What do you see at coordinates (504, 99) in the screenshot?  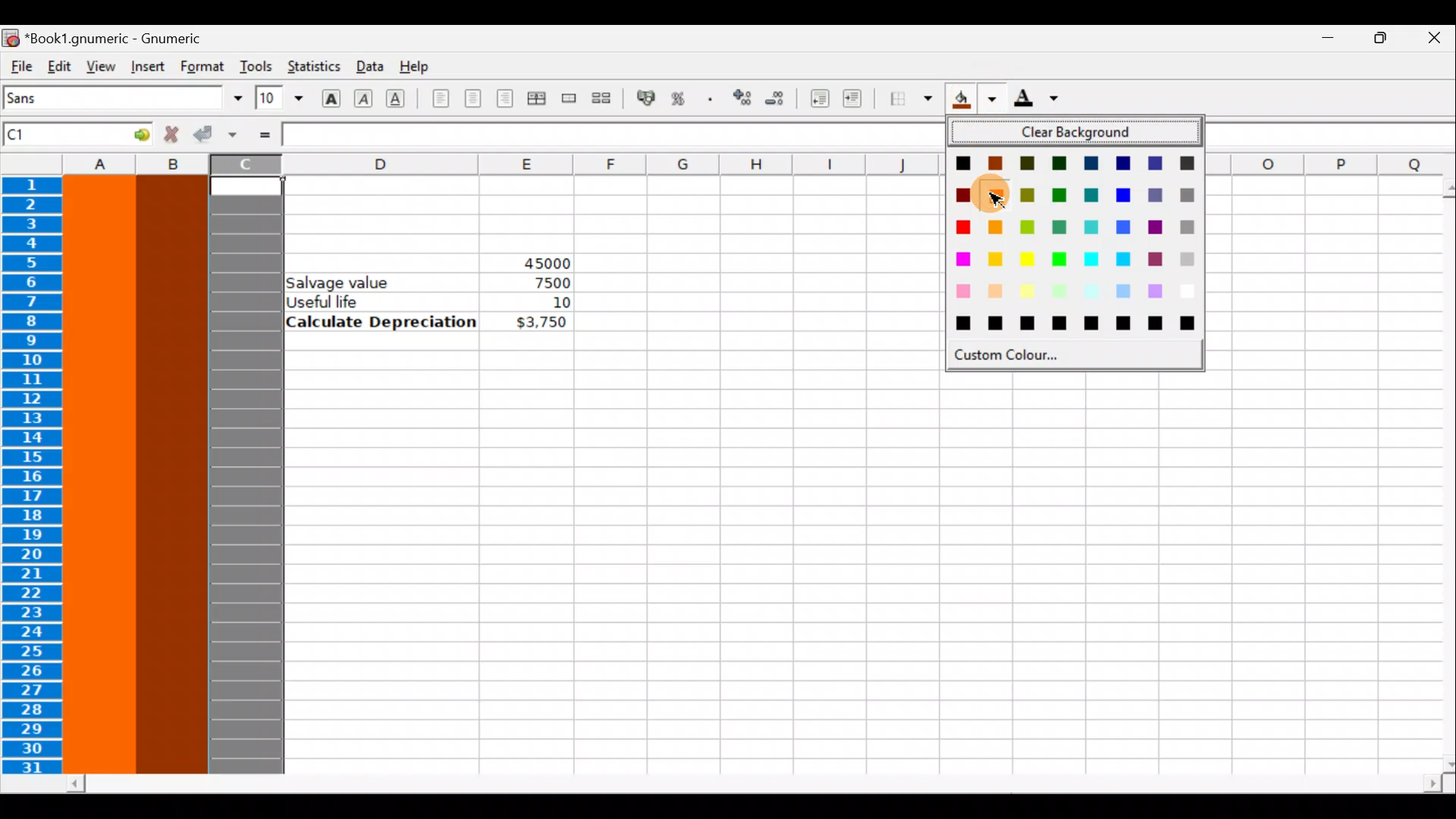 I see `Align right` at bounding box center [504, 99].